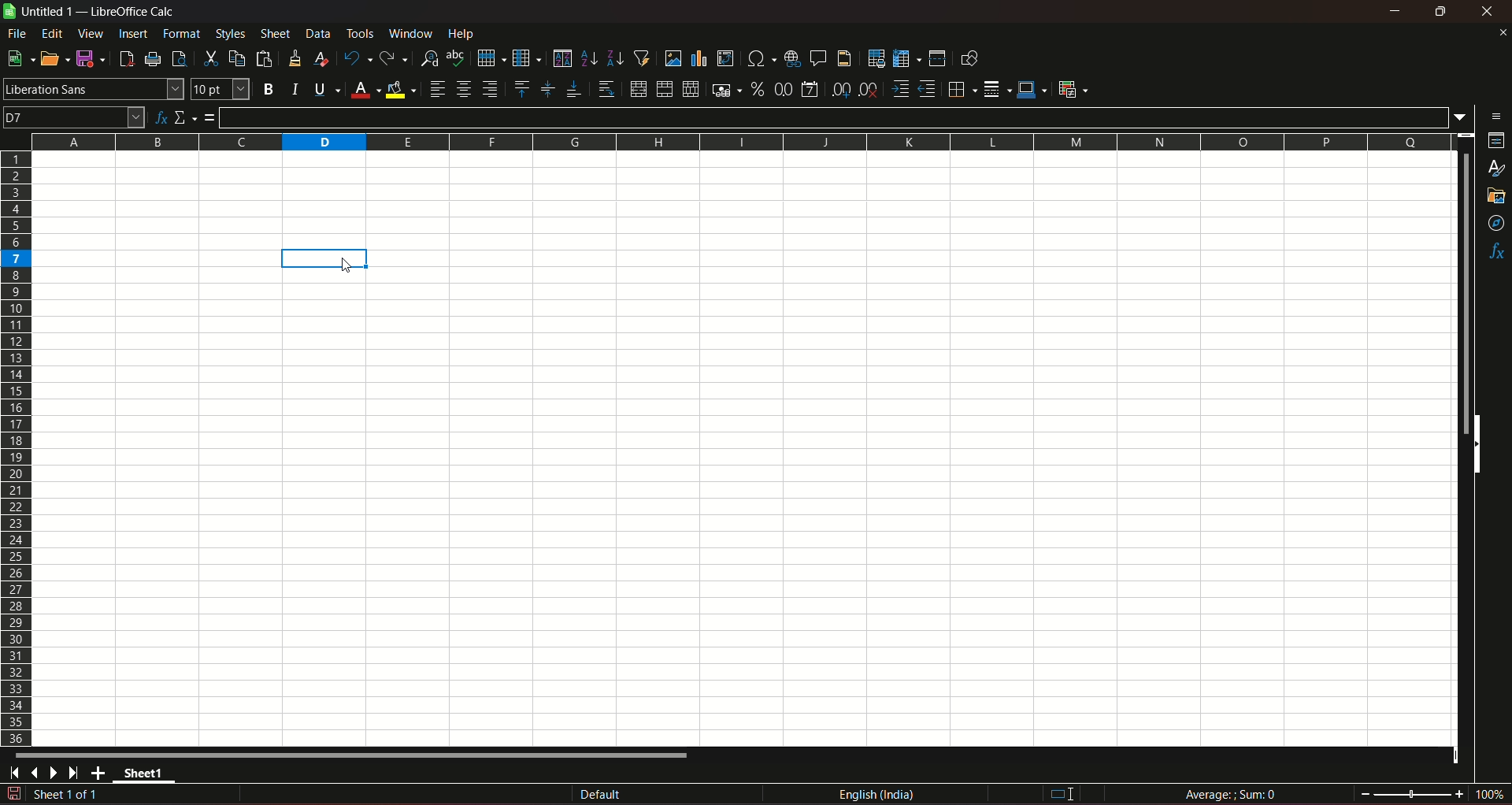 The width and height of the screenshot is (1512, 805). What do you see at coordinates (899, 89) in the screenshot?
I see `increase indent` at bounding box center [899, 89].